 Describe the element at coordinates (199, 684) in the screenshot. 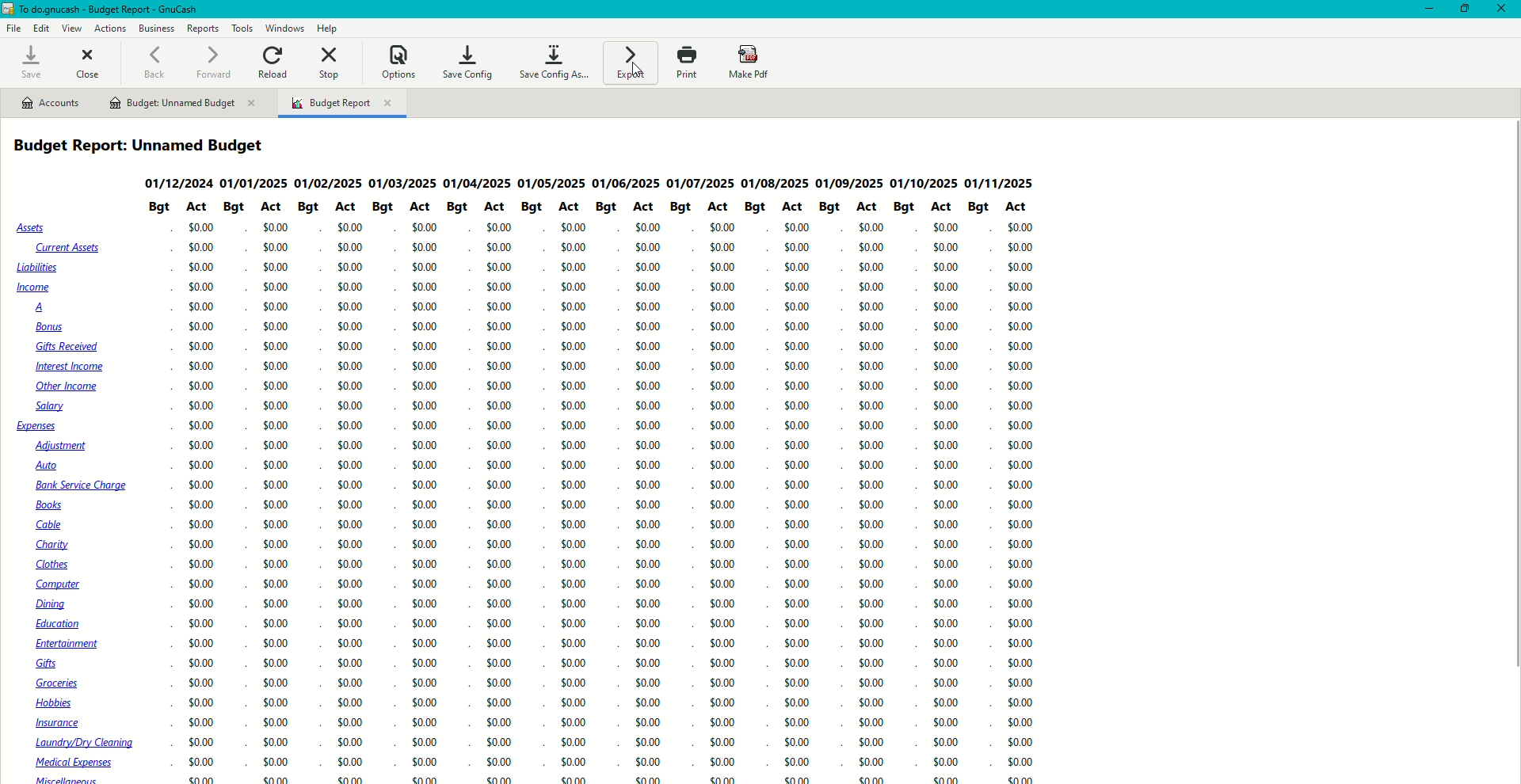

I see `$0.00` at that location.